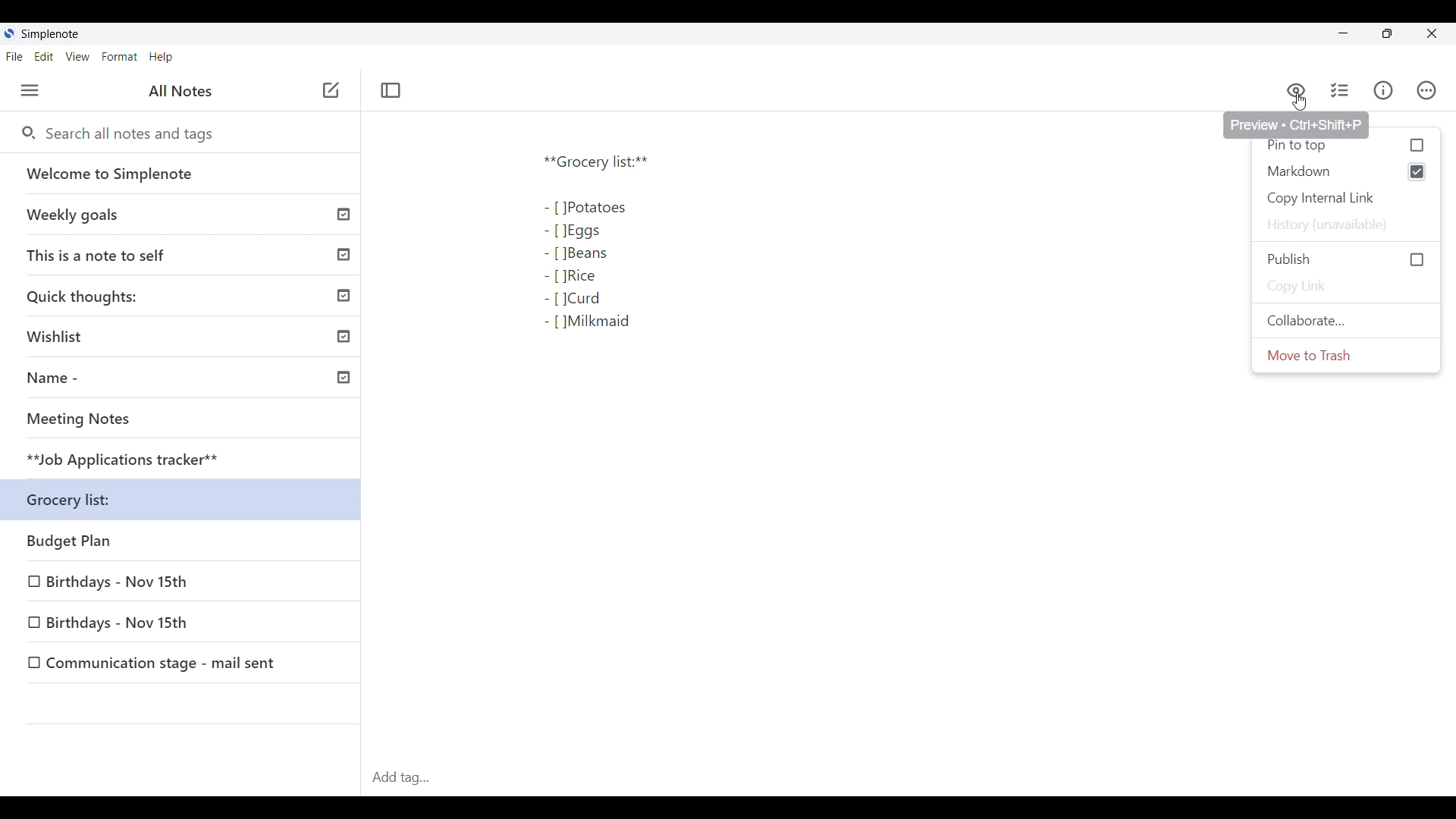  I want to click on Simplenote, so click(47, 33).